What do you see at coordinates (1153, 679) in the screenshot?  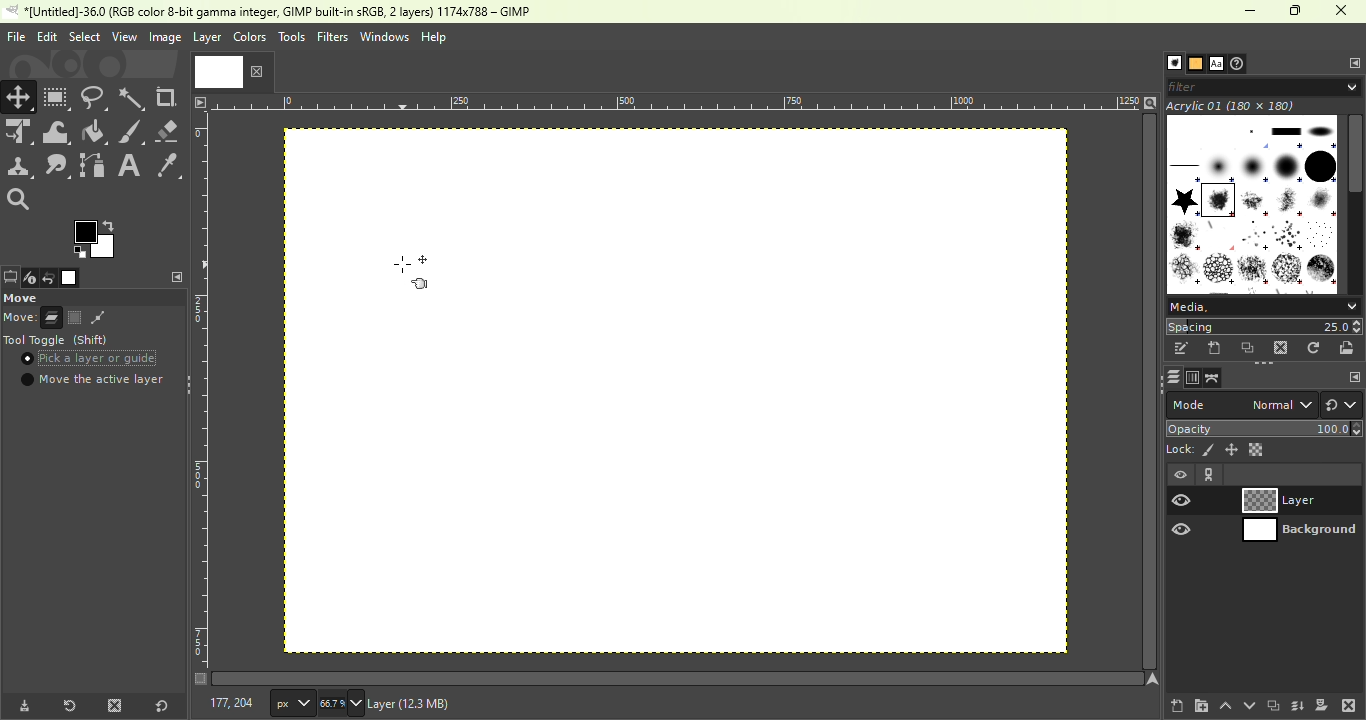 I see `Navigate` at bounding box center [1153, 679].